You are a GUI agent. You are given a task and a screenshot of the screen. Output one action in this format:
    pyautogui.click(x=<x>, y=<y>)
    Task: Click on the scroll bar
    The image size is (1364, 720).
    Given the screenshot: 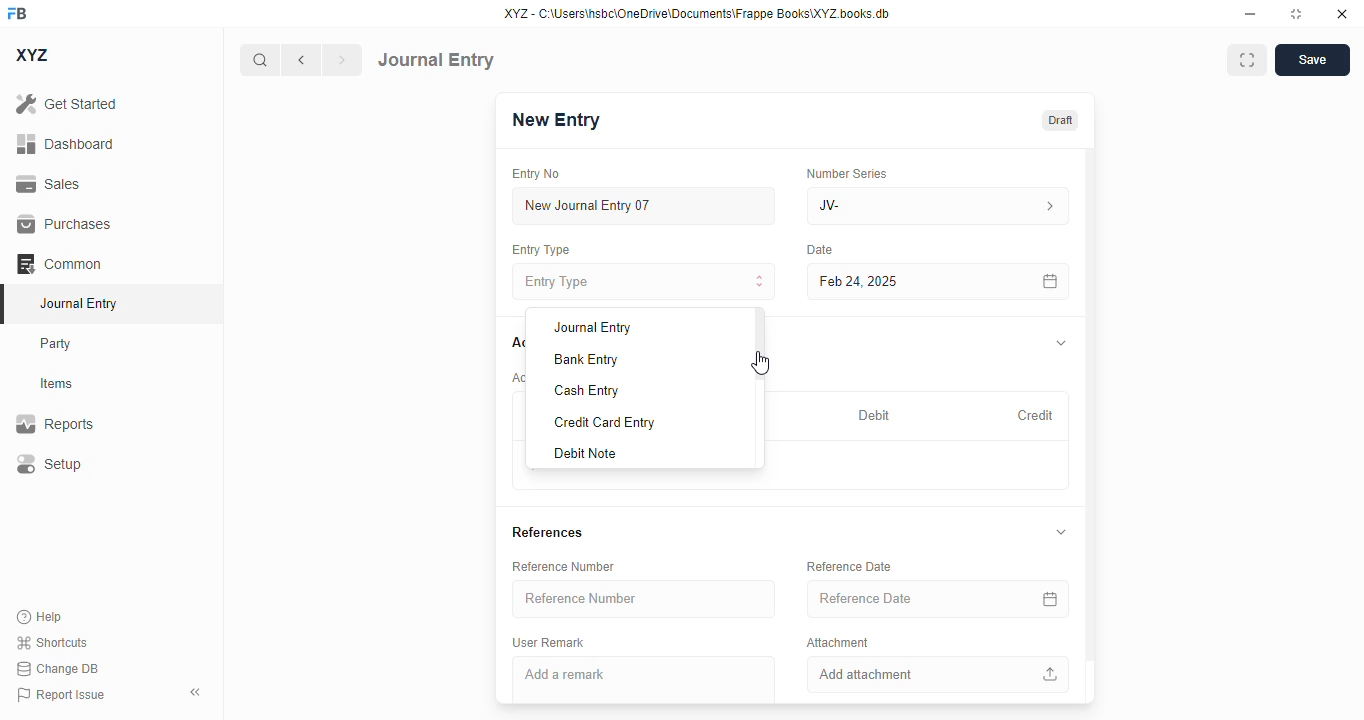 What is the action you would take?
    pyautogui.click(x=761, y=389)
    